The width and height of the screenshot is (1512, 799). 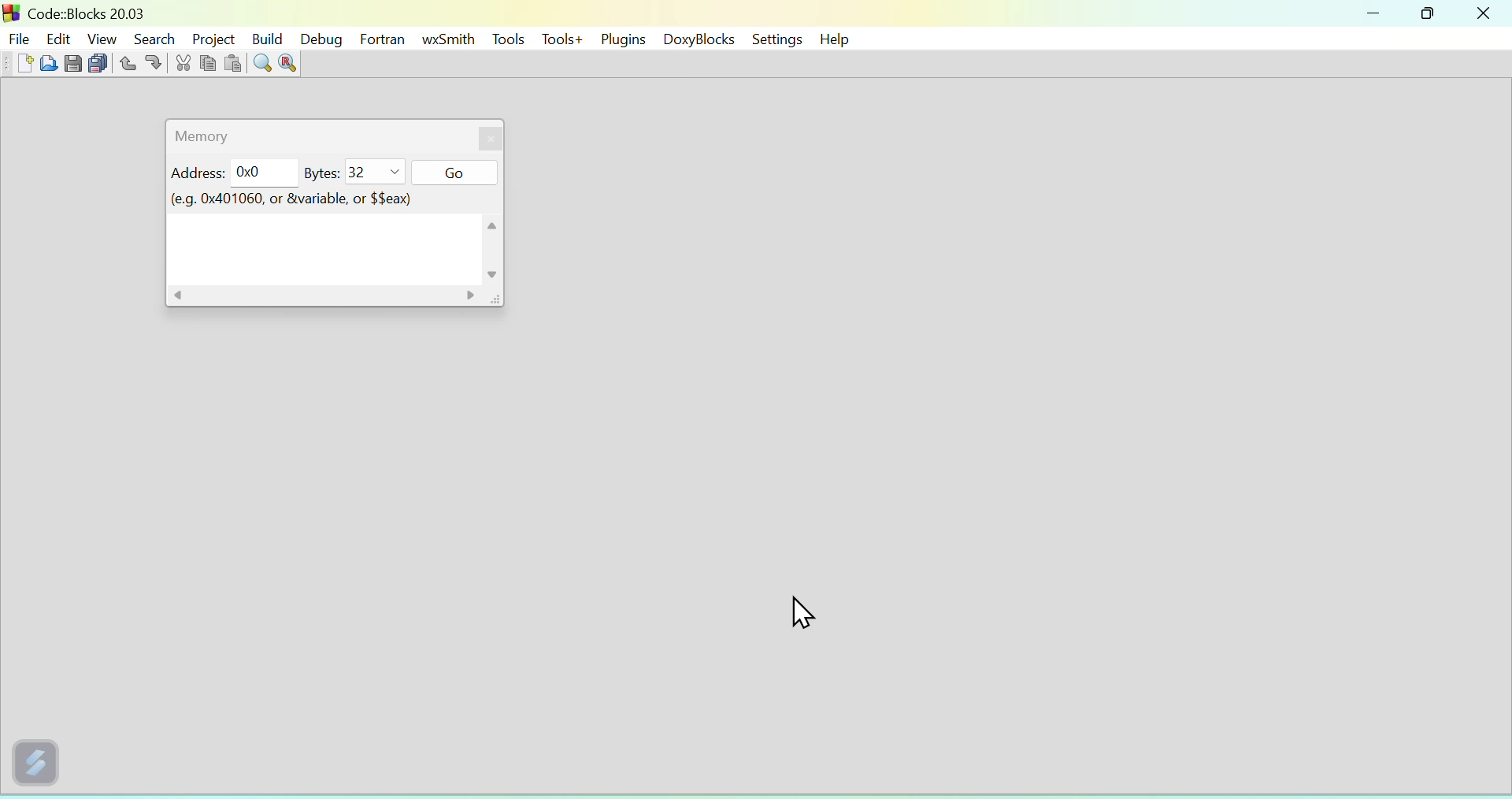 What do you see at coordinates (324, 173) in the screenshot?
I see `Bytes:` at bounding box center [324, 173].